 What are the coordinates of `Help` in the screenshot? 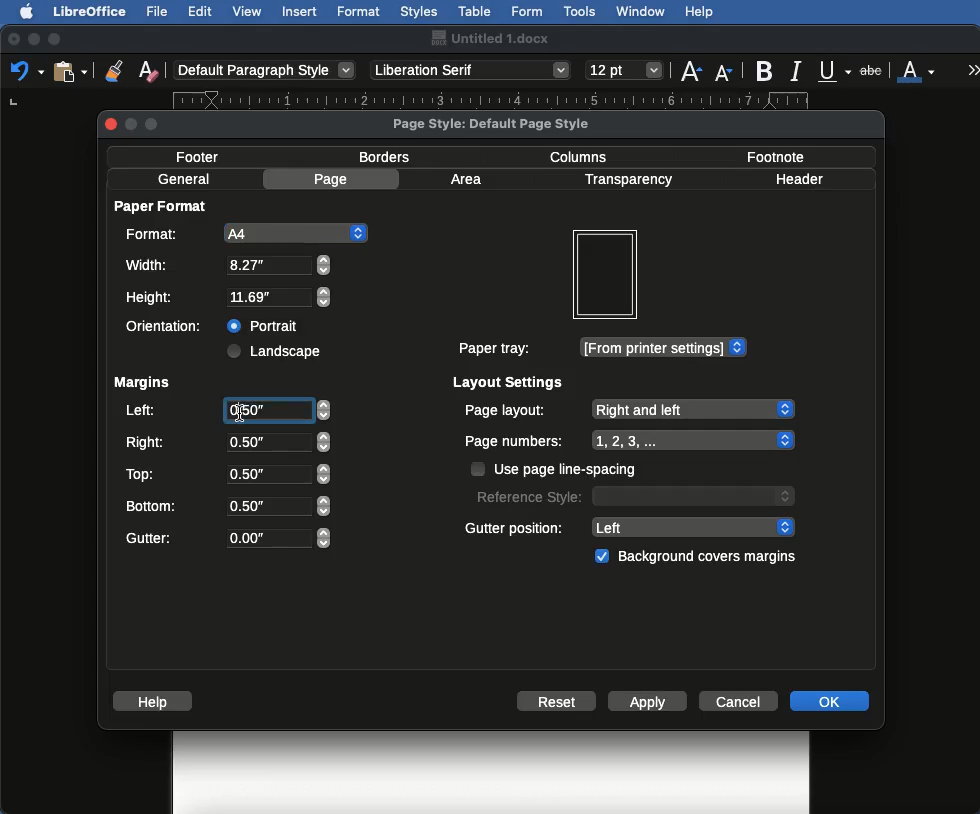 It's located at (156, 701).